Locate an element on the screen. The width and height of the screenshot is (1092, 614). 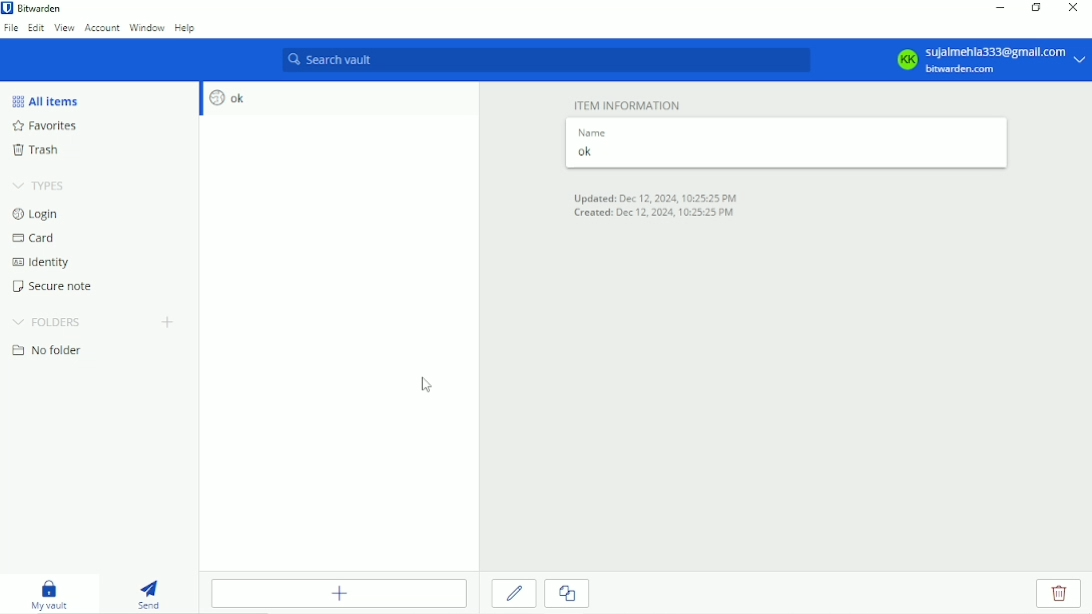
KK sujalmehla333@gmail.com       bitwarden.com is located at coordinates (988, 60).